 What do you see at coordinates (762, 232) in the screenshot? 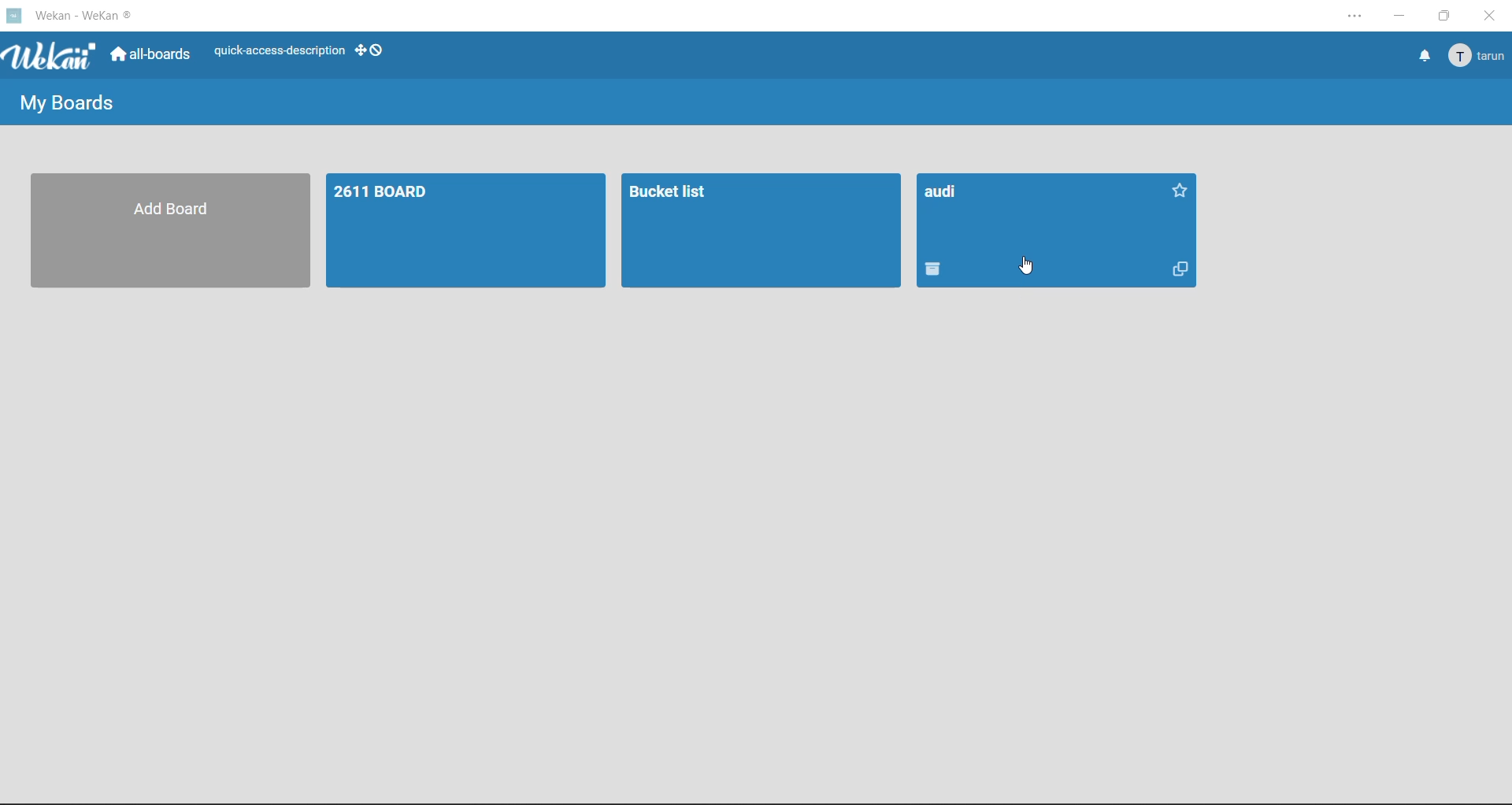
I see `Bucket list` at bounding box center [762, 232].